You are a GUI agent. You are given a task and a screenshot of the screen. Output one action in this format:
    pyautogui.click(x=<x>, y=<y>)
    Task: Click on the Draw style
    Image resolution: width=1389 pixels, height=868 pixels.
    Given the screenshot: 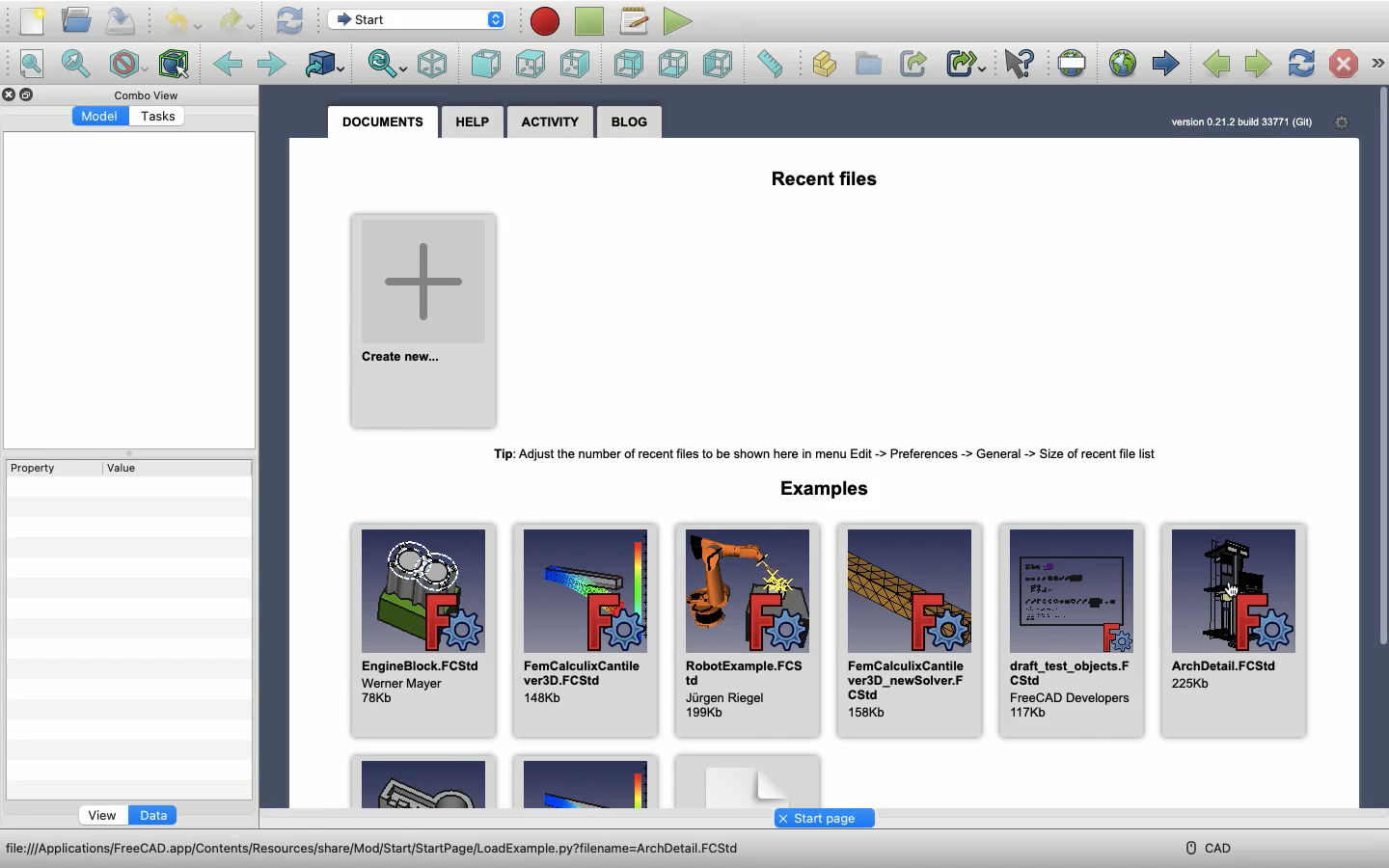 What is the action you would take?
    pyautogui.click(x=126, y=63)
    